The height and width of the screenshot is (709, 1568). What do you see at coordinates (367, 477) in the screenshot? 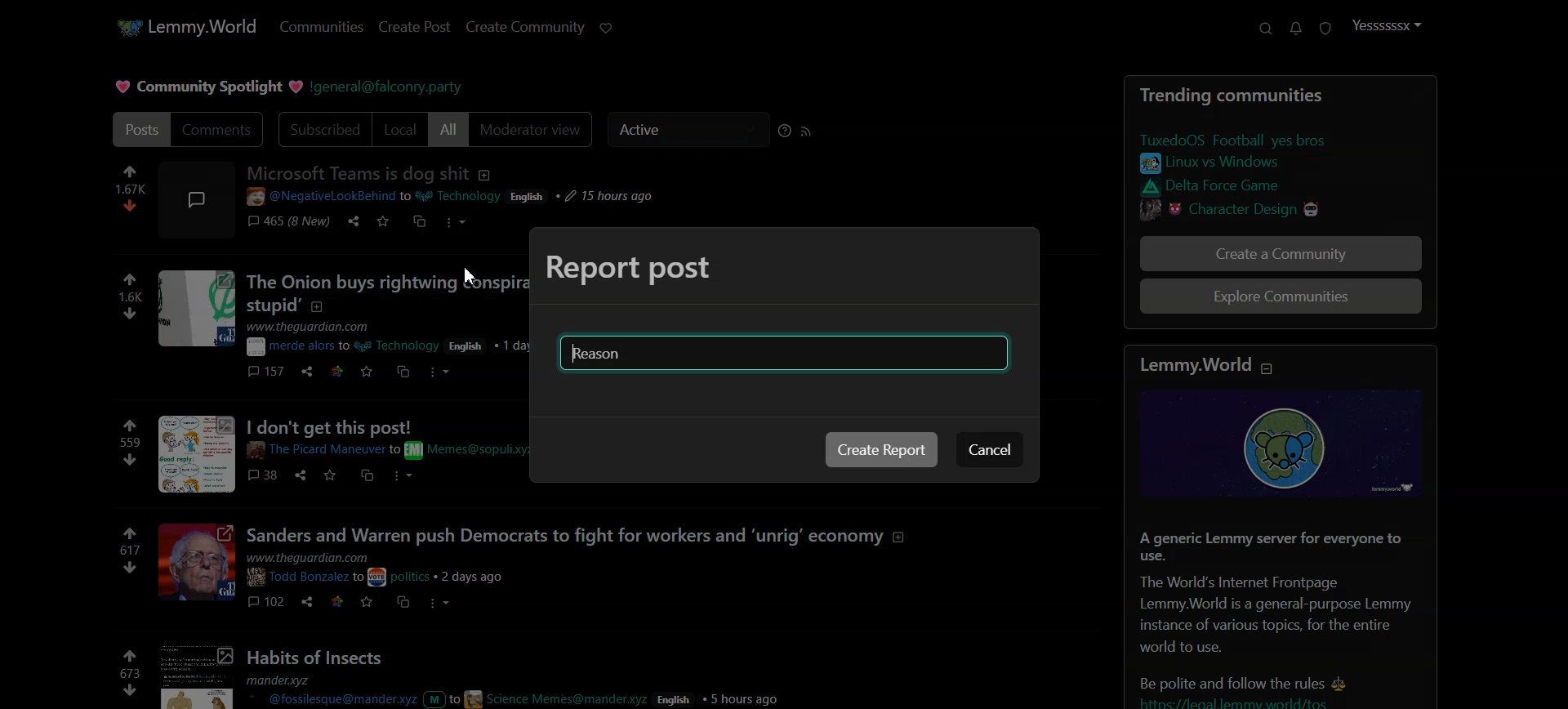
I see `cs` at bounding box center [367, 477].